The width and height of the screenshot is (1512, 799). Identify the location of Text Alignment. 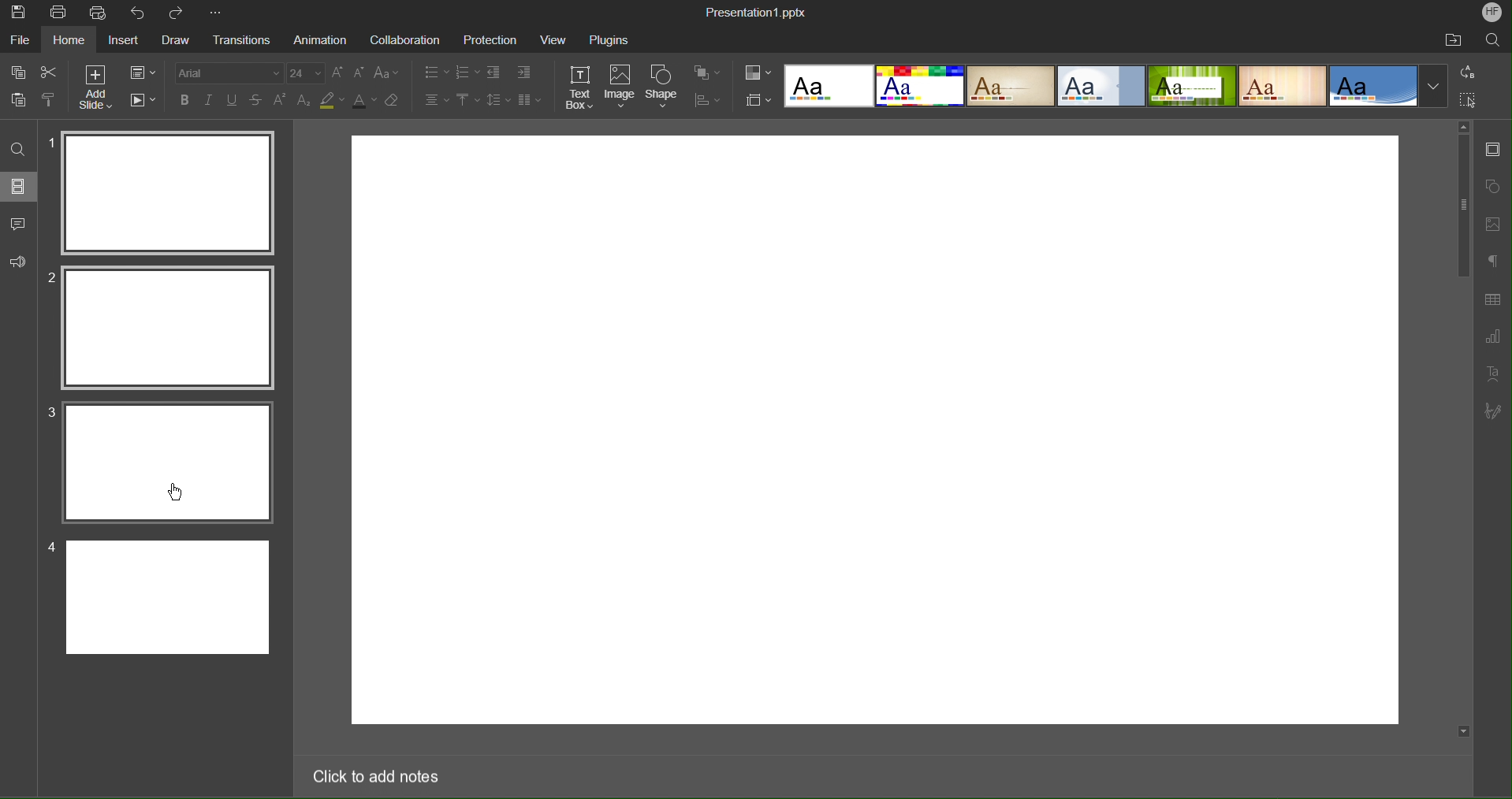
(437, 98).